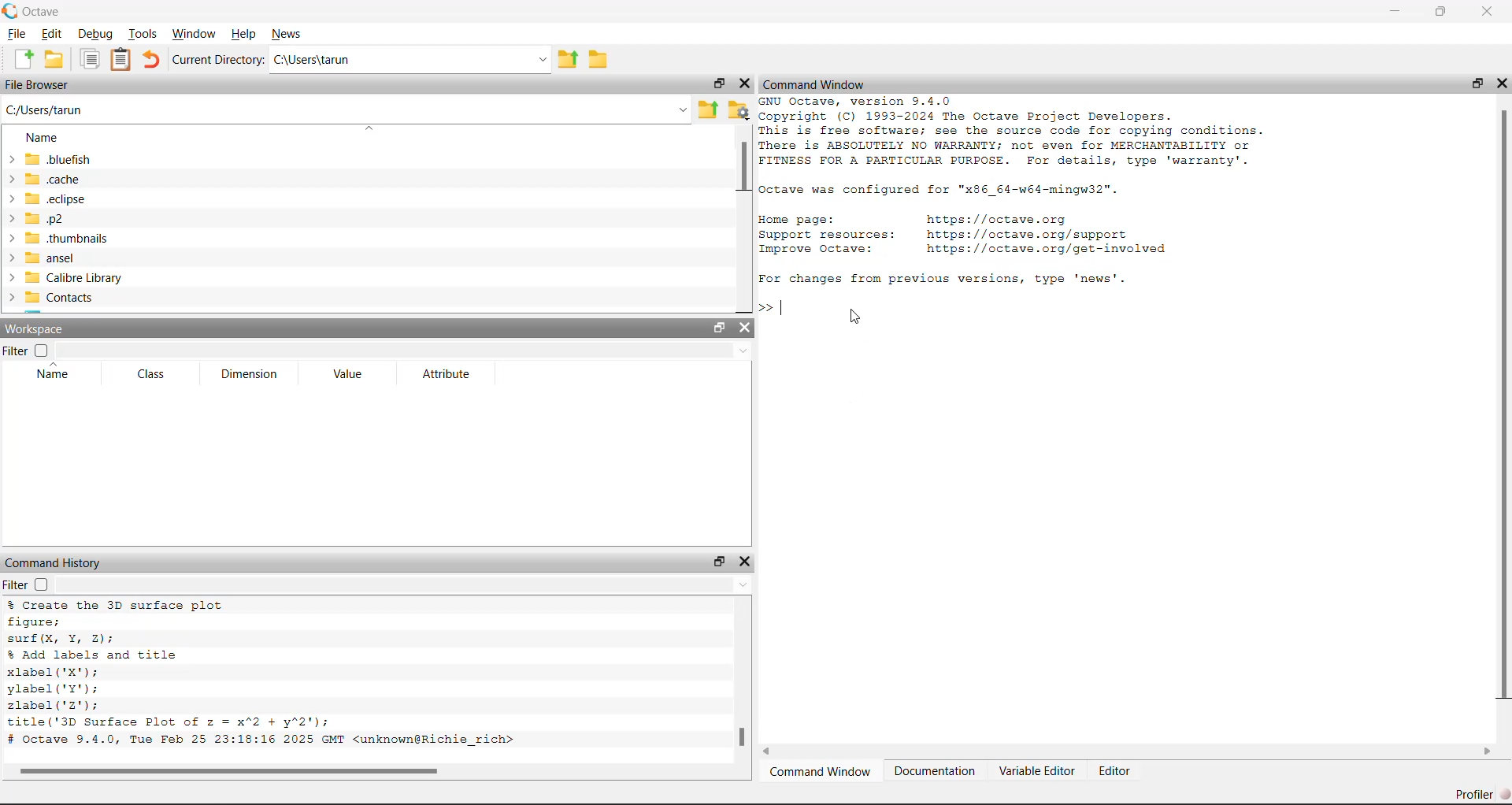  What do you see at coordinates (1112, 771) in the screenshot?
I see `Editor` at bounding box center [1112, 771].